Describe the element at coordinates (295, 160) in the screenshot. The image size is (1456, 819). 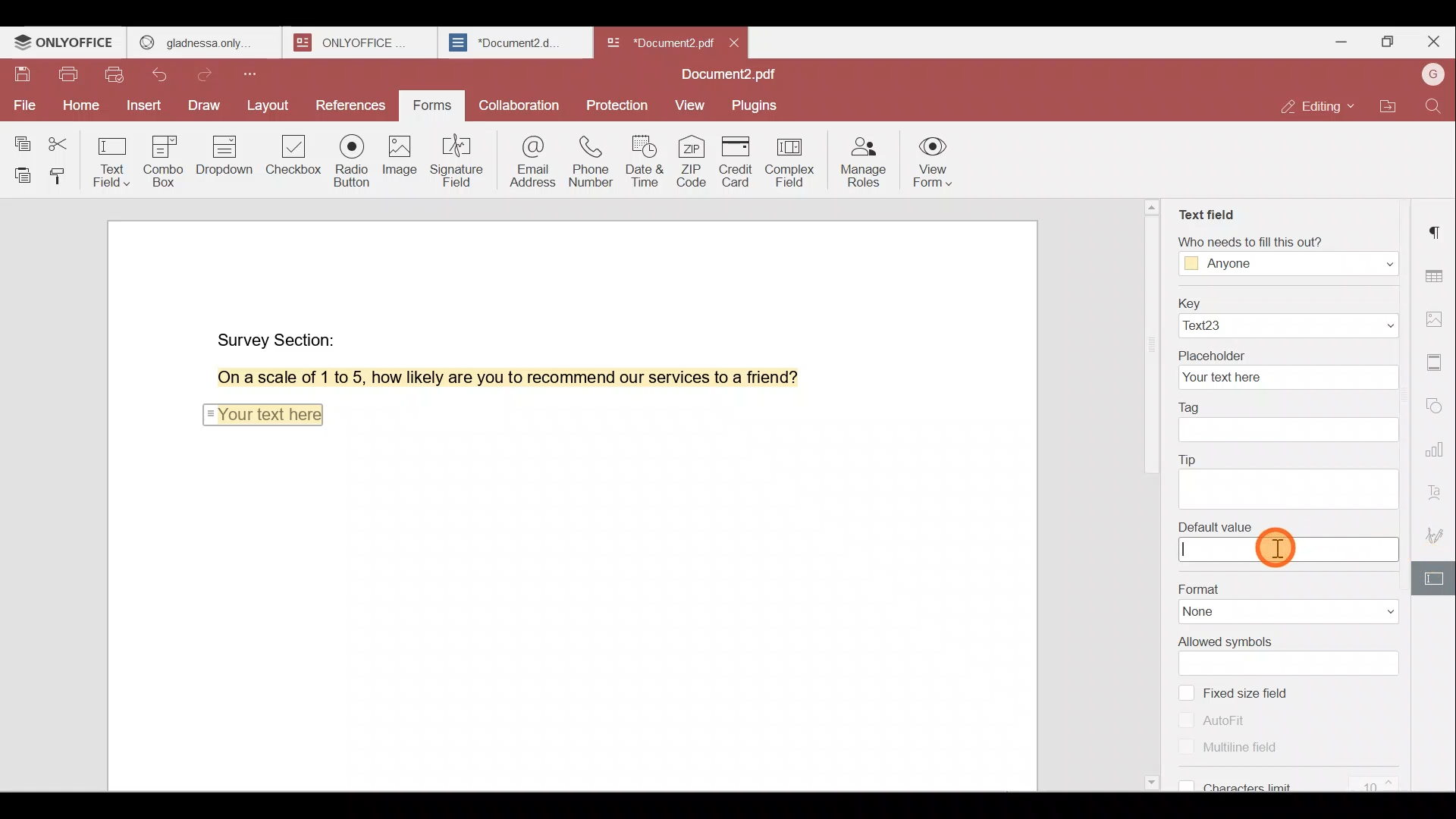
I see `Checkbox` at that location.